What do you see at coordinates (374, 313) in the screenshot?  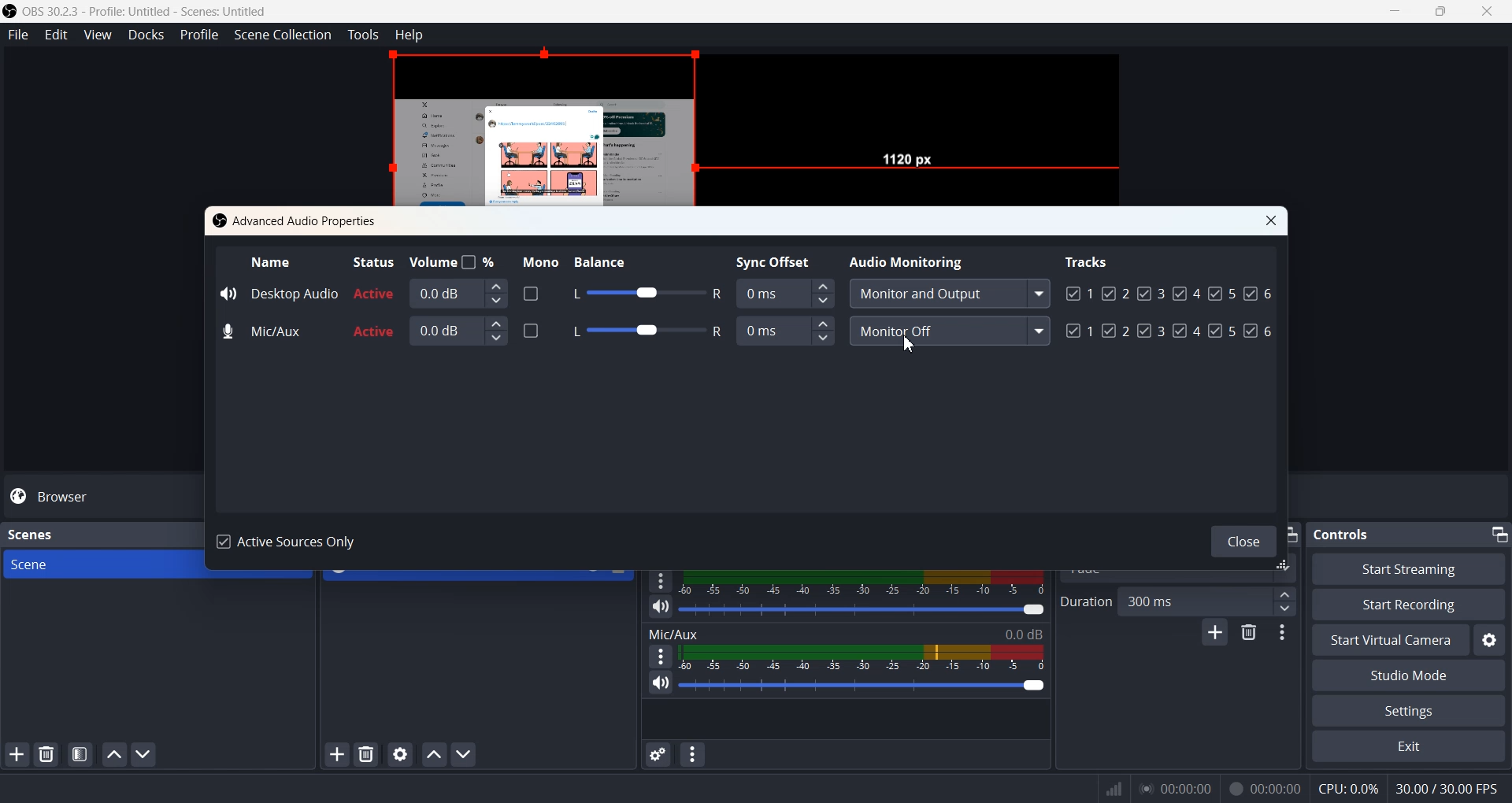 I see `Active` at bounding box center [374, 313].